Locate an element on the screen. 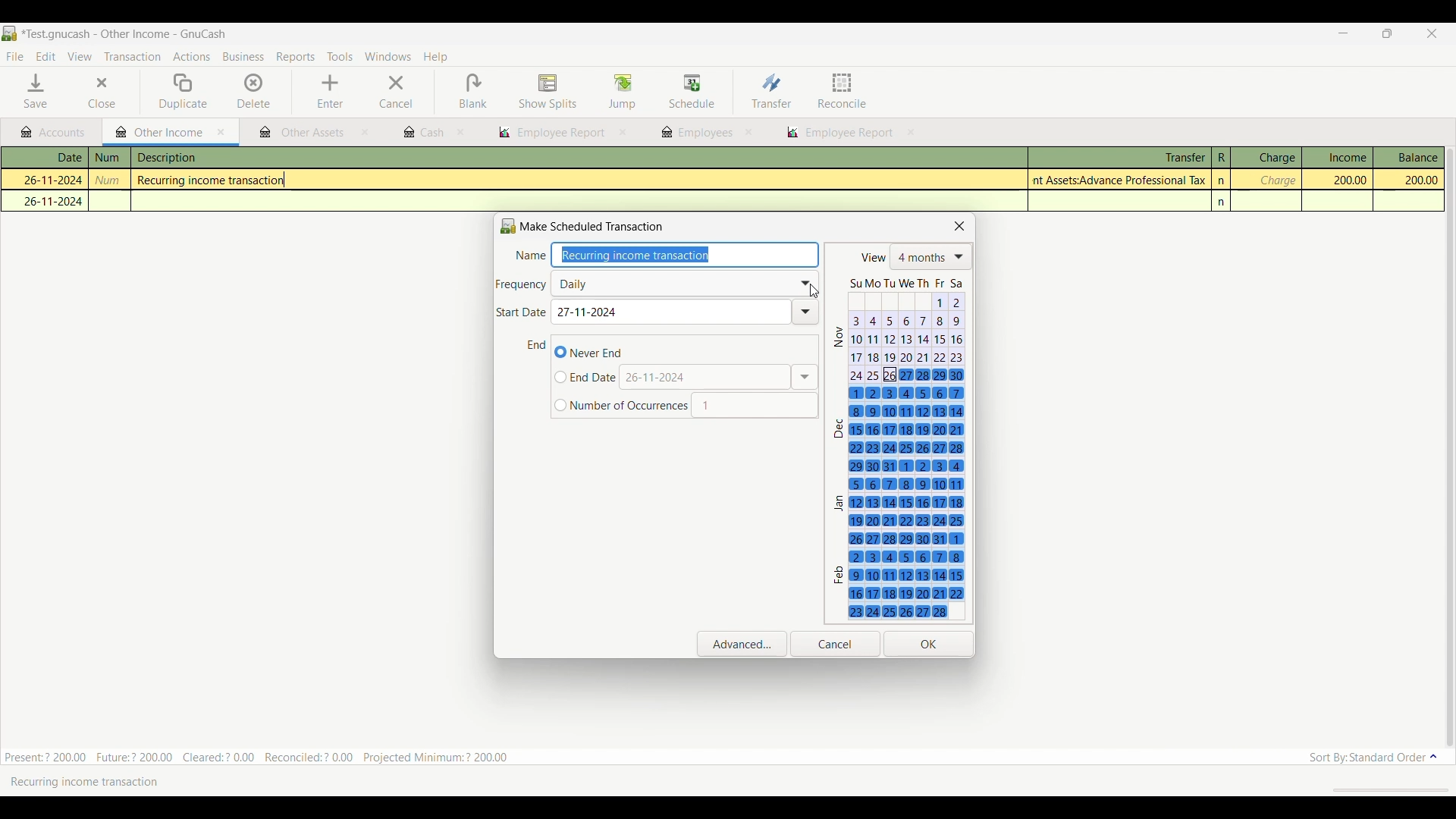 The width and height of the screenshot is (1456, 819). Close current tab is located at coordinates (221, 133).